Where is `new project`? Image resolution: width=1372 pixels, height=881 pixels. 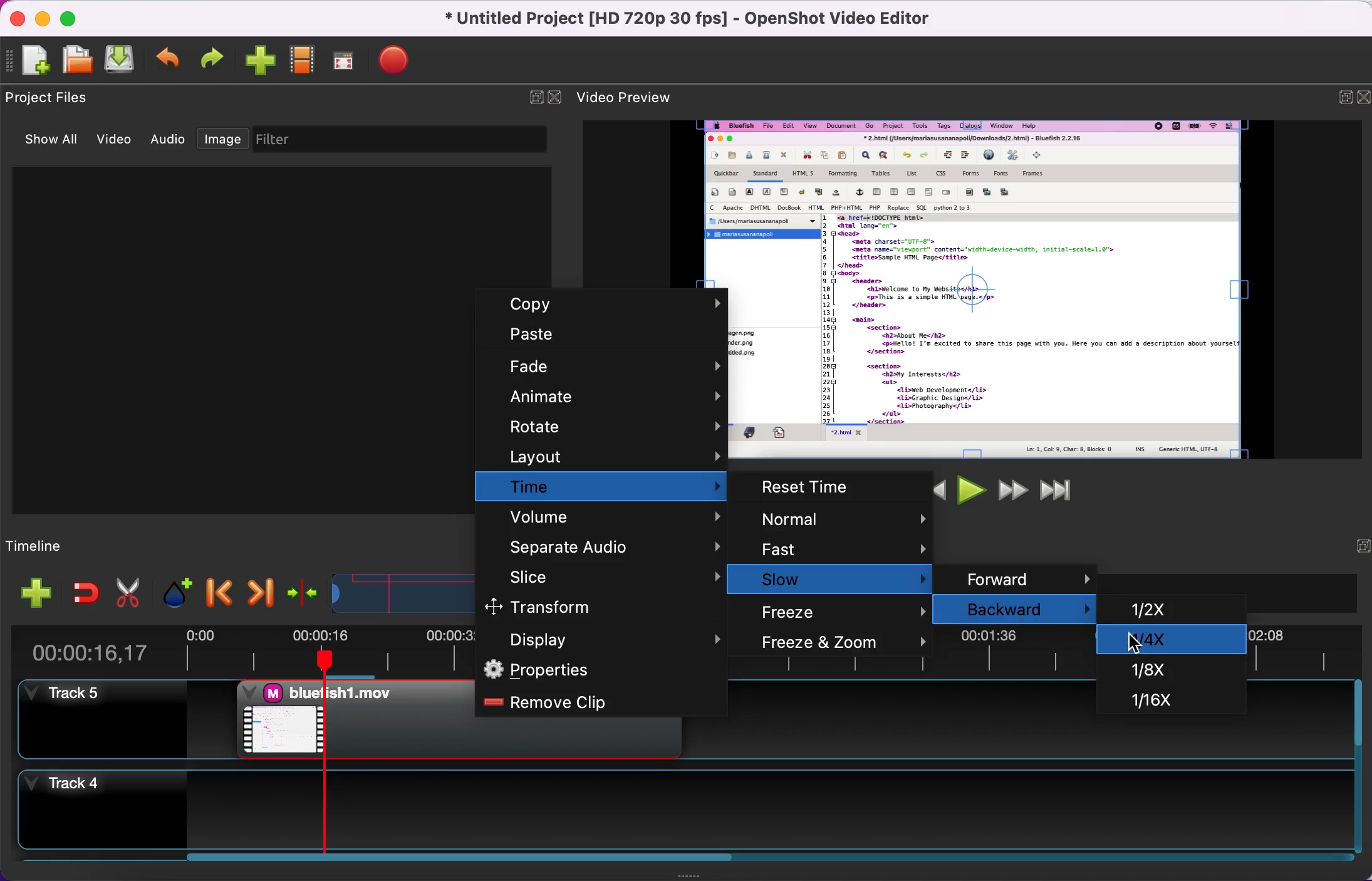 new project is located at coordinates (36, 63).